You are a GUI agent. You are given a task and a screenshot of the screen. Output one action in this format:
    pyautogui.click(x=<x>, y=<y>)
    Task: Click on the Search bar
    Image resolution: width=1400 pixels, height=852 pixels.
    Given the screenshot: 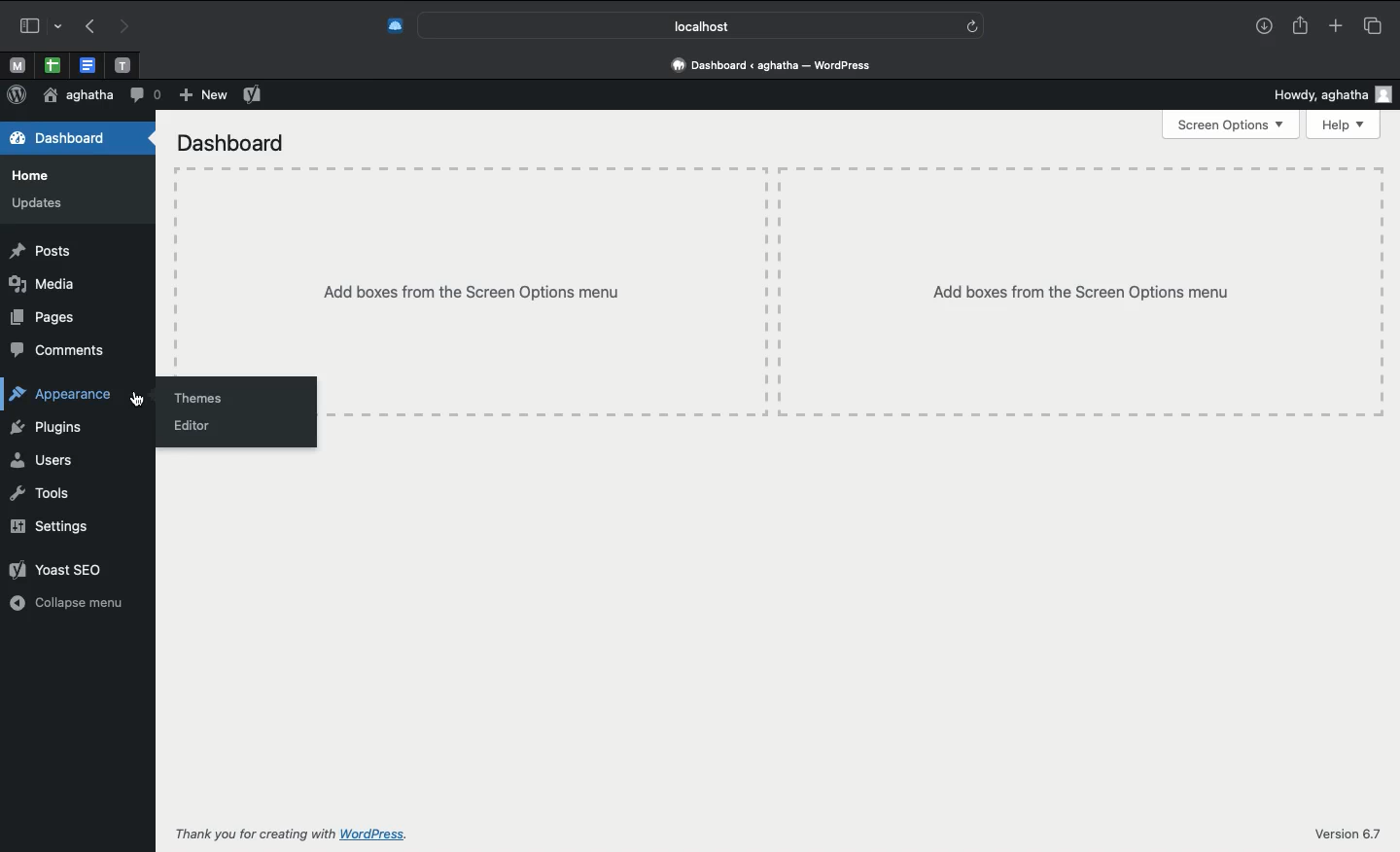 What is the action you would take?
    pyautogui.click(x=703, y=24)
    